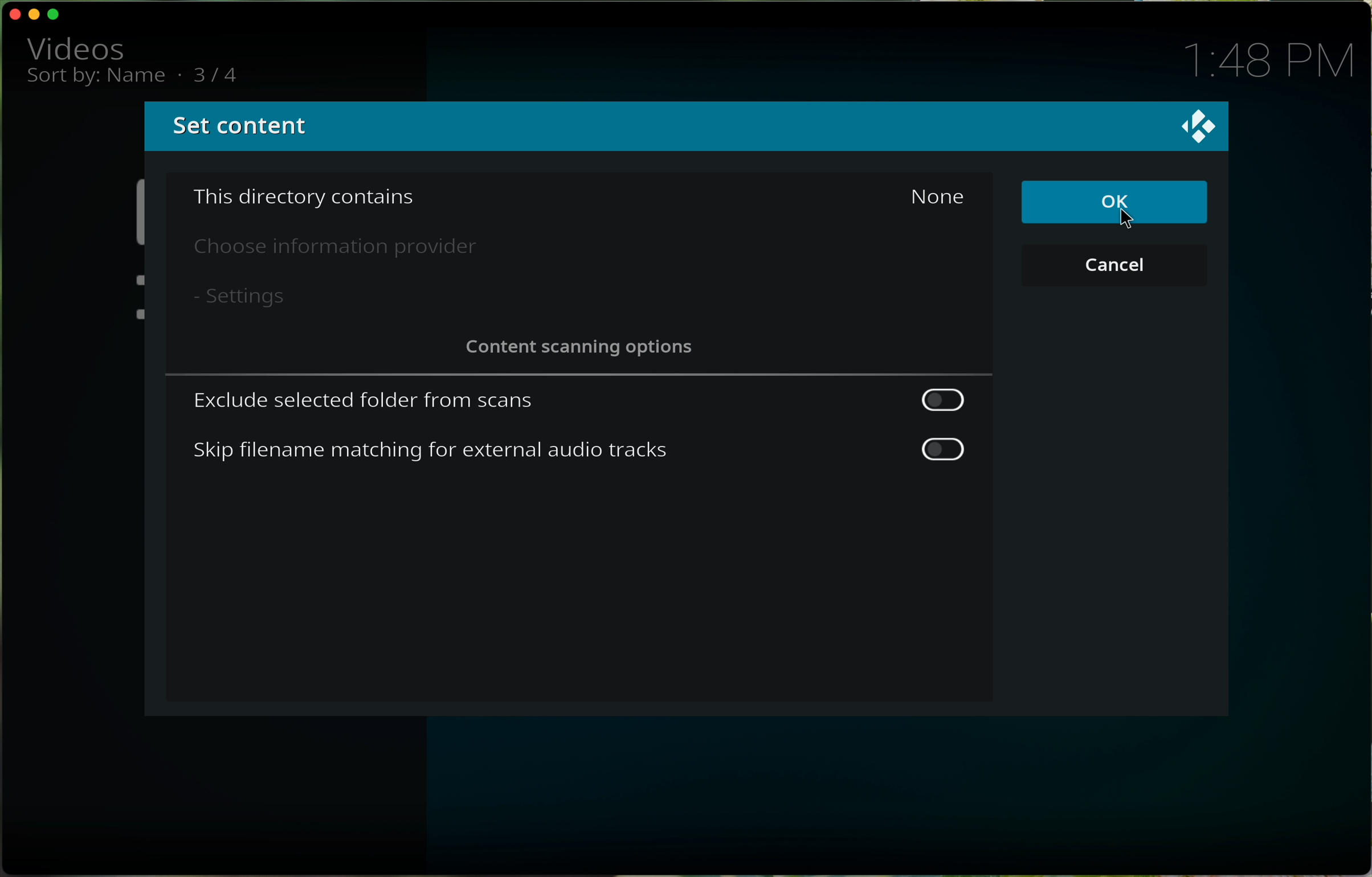 This screenshot has height=877, width=1372. What do you see at coordinates (1277, 59) in the screenshot?
I see `1:48 PM` at bounding box center [1277, 59].